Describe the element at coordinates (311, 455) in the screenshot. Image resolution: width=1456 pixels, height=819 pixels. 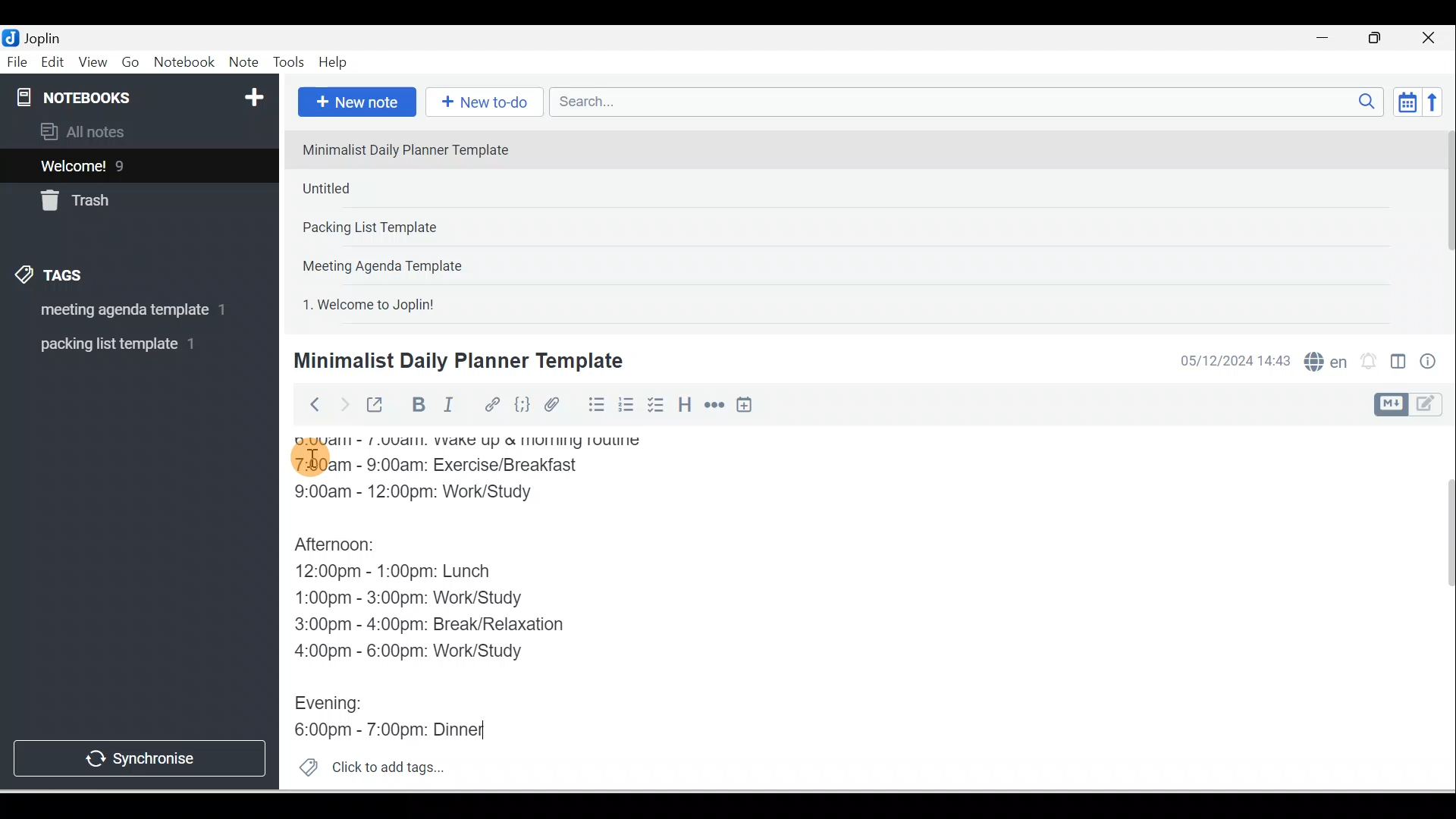
I see `Cursor` at that location.